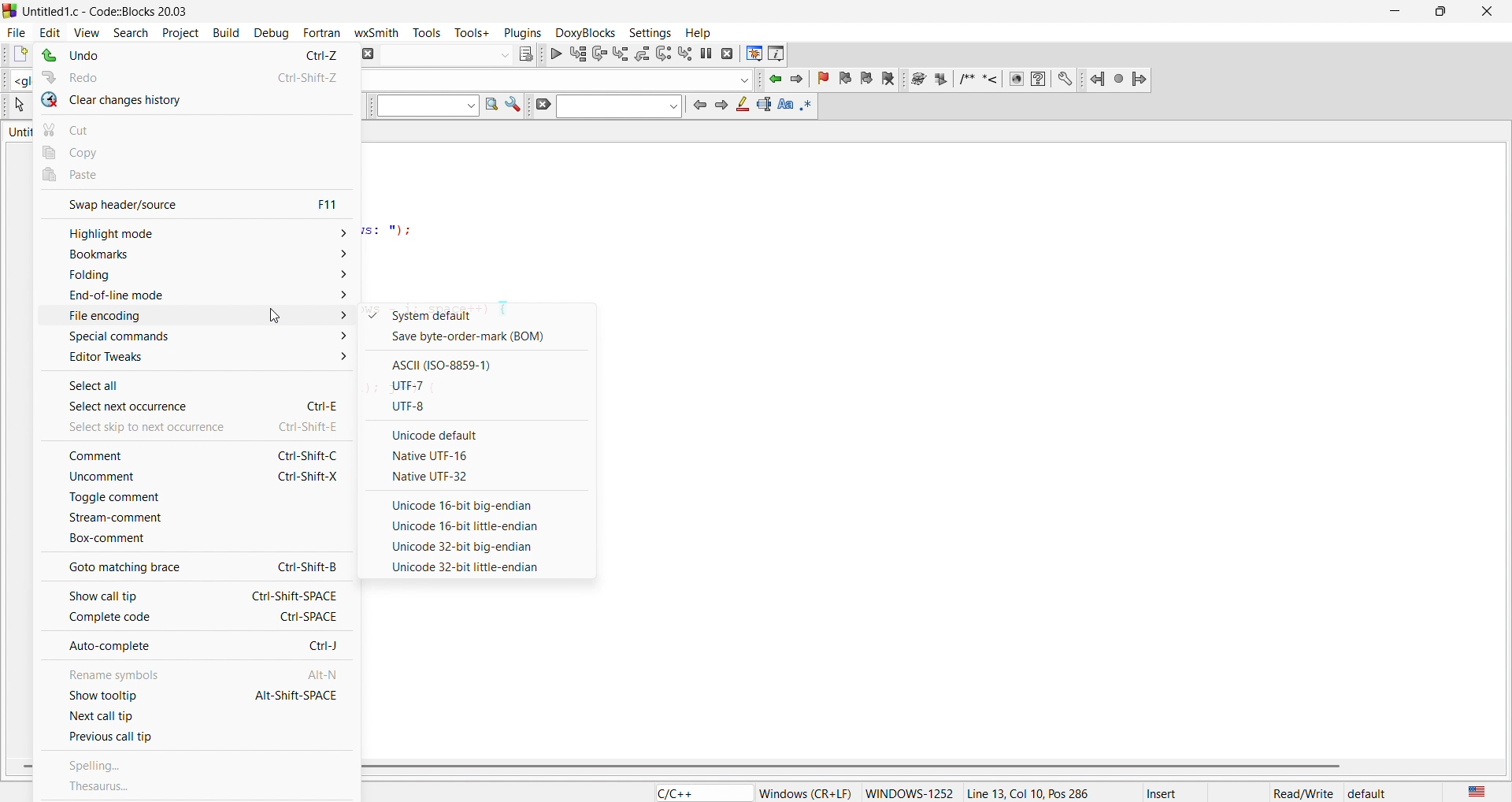 The height and width of the screenshot is (802, 1512). I want to click on doxyblocks, so click(584, 34).